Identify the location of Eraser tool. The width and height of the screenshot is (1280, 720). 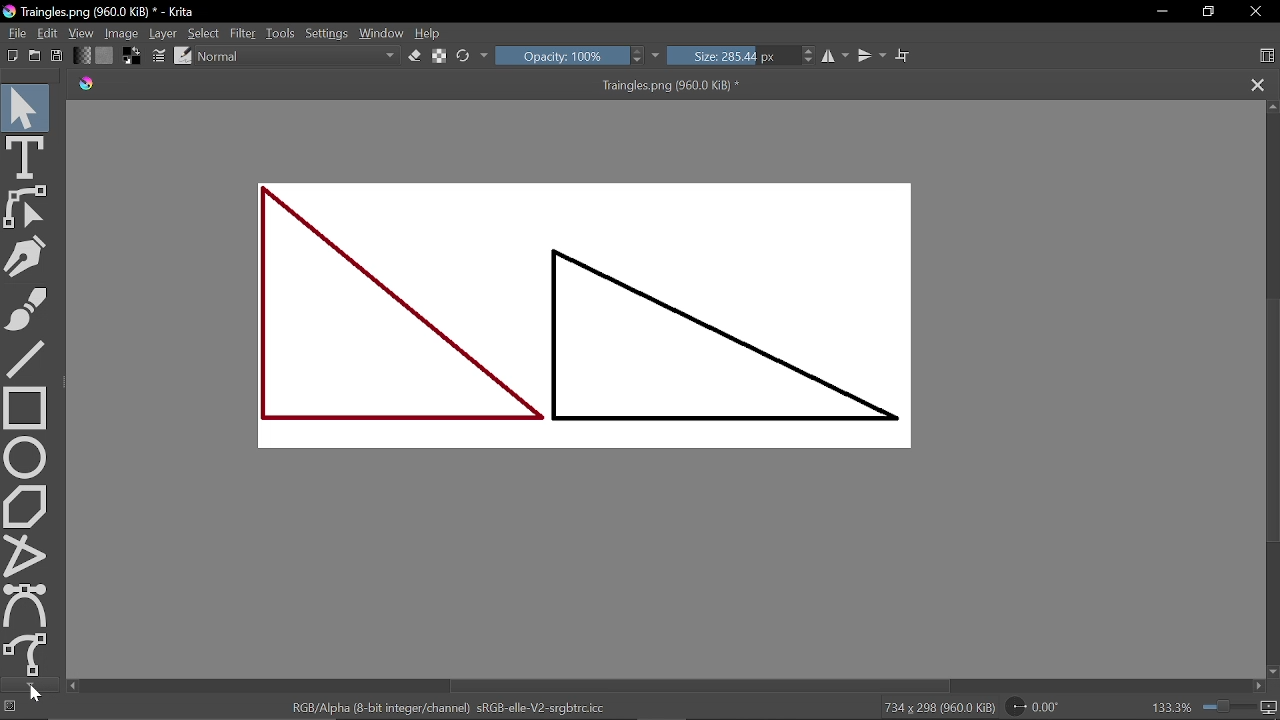
(416, 55).